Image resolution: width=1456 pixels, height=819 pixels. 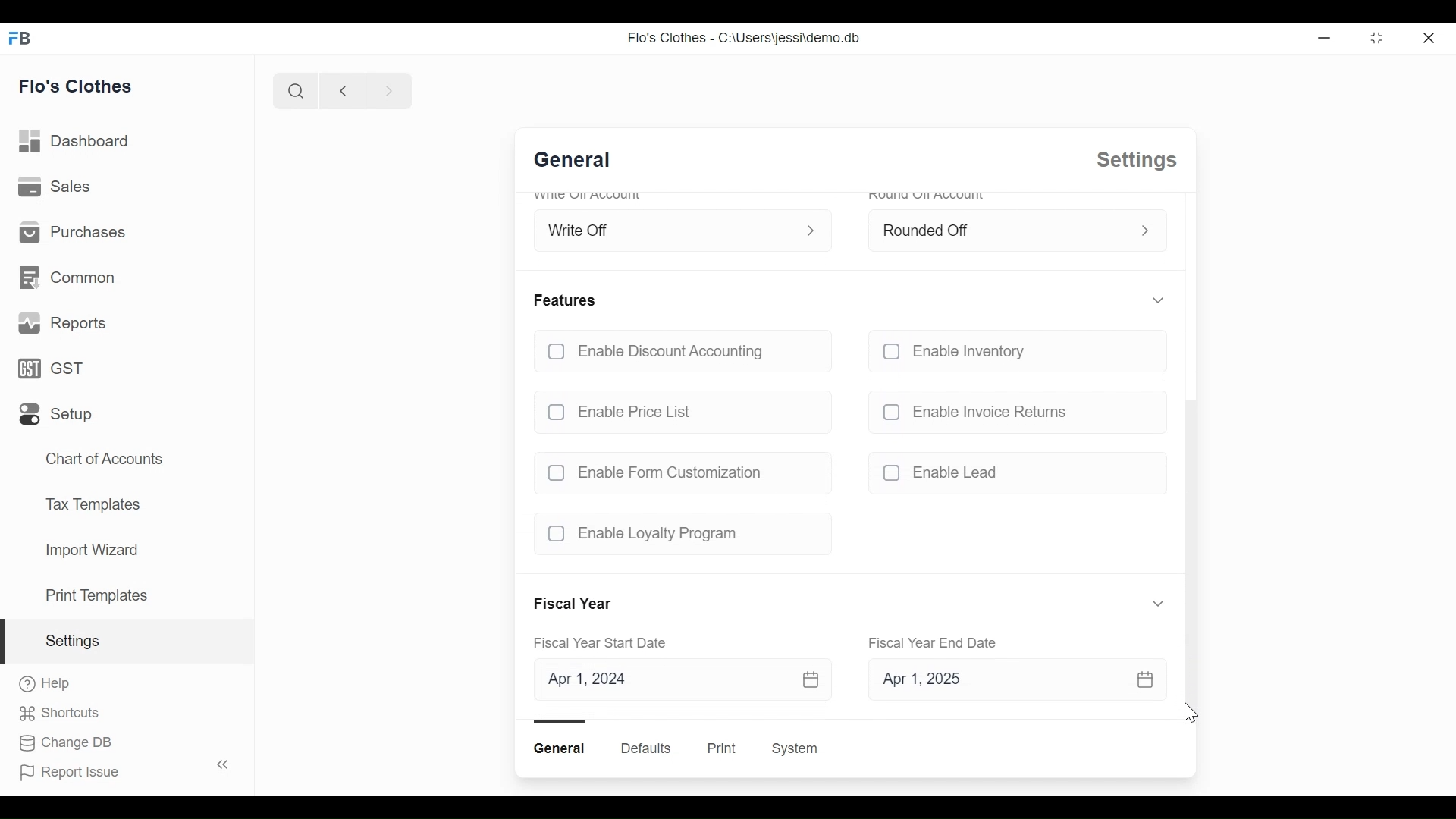 What do you see at coordinates (55, 187) in the screenshot?
I see `Sales` at bounding box center [55, 187].